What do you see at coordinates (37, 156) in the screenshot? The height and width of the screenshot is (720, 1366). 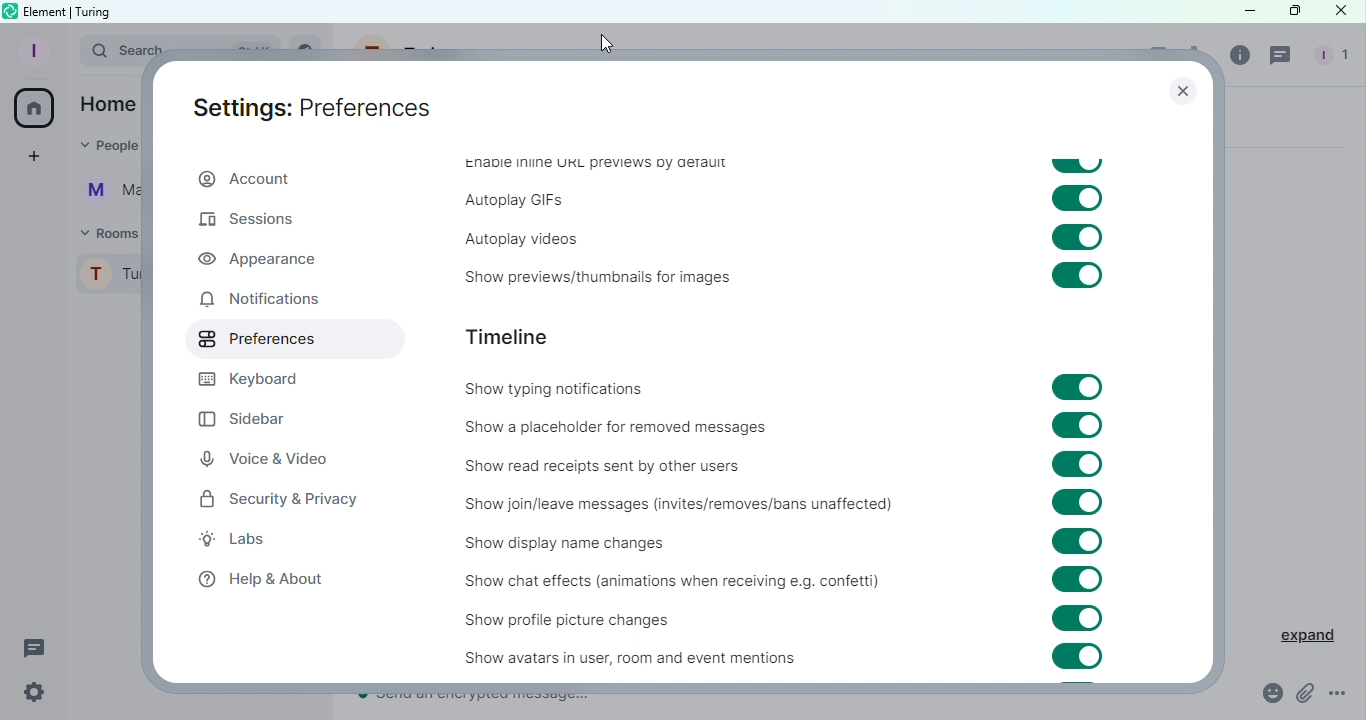 I see `Create a space` at bounding box center [37, 156].